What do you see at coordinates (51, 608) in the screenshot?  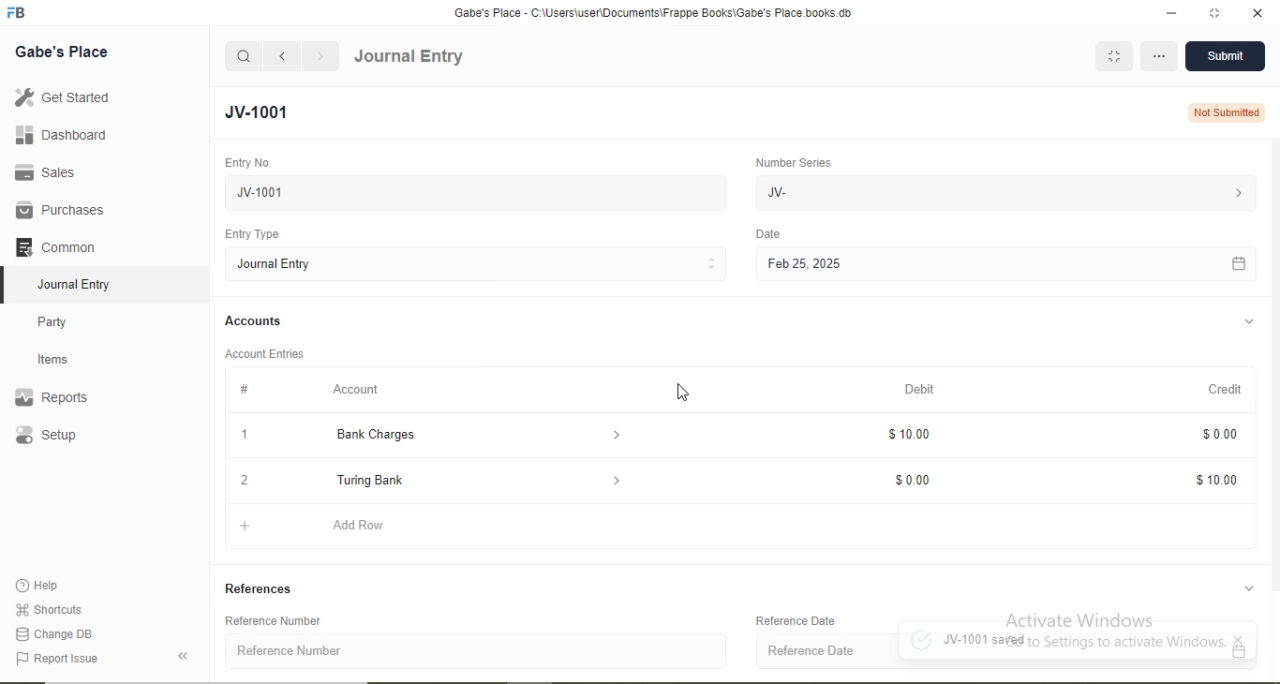 I see `‘Shortcuts` at bounding box center [51, 608].